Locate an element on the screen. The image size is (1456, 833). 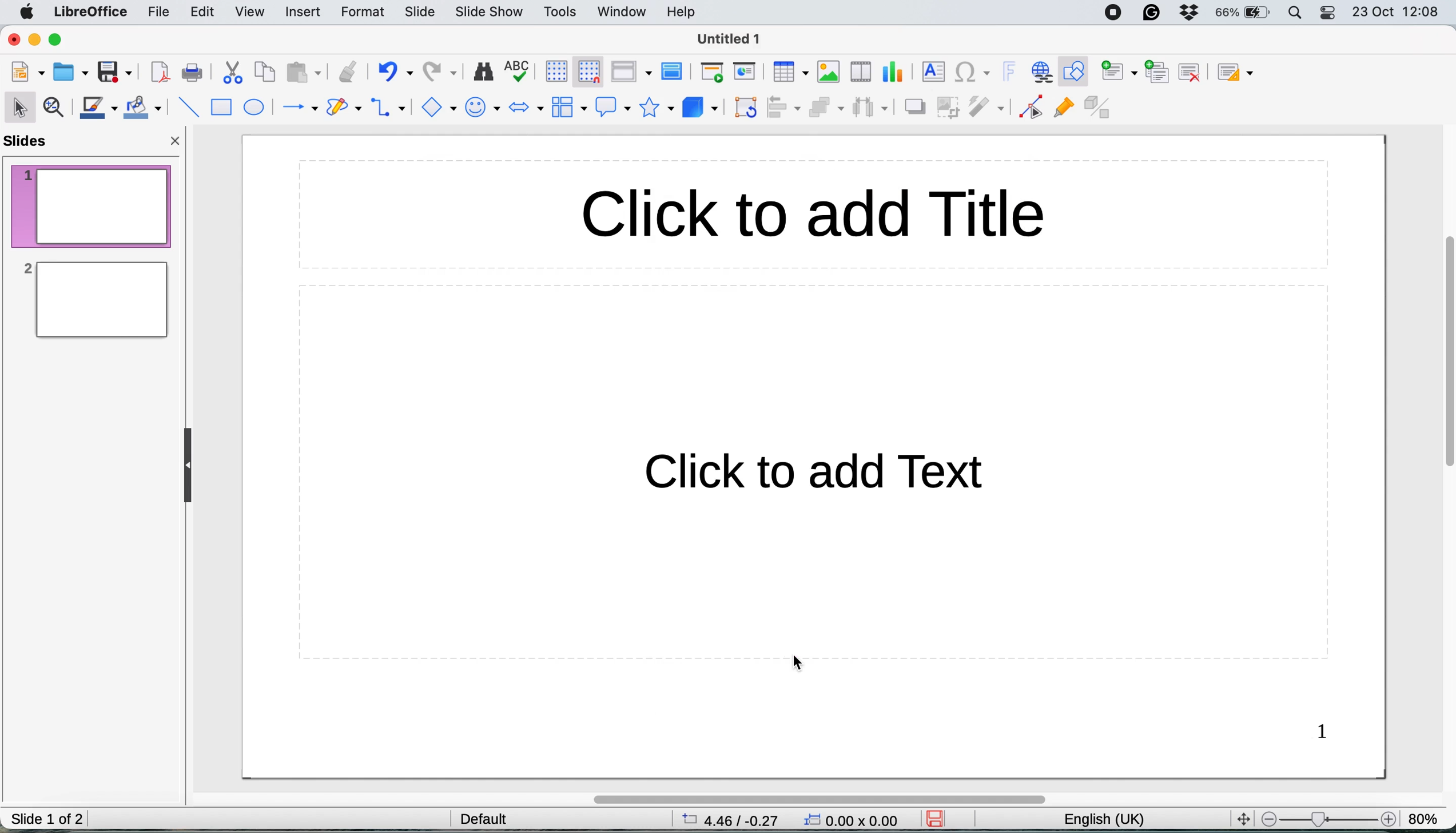
ellipse is located at coordinates (255, 108).